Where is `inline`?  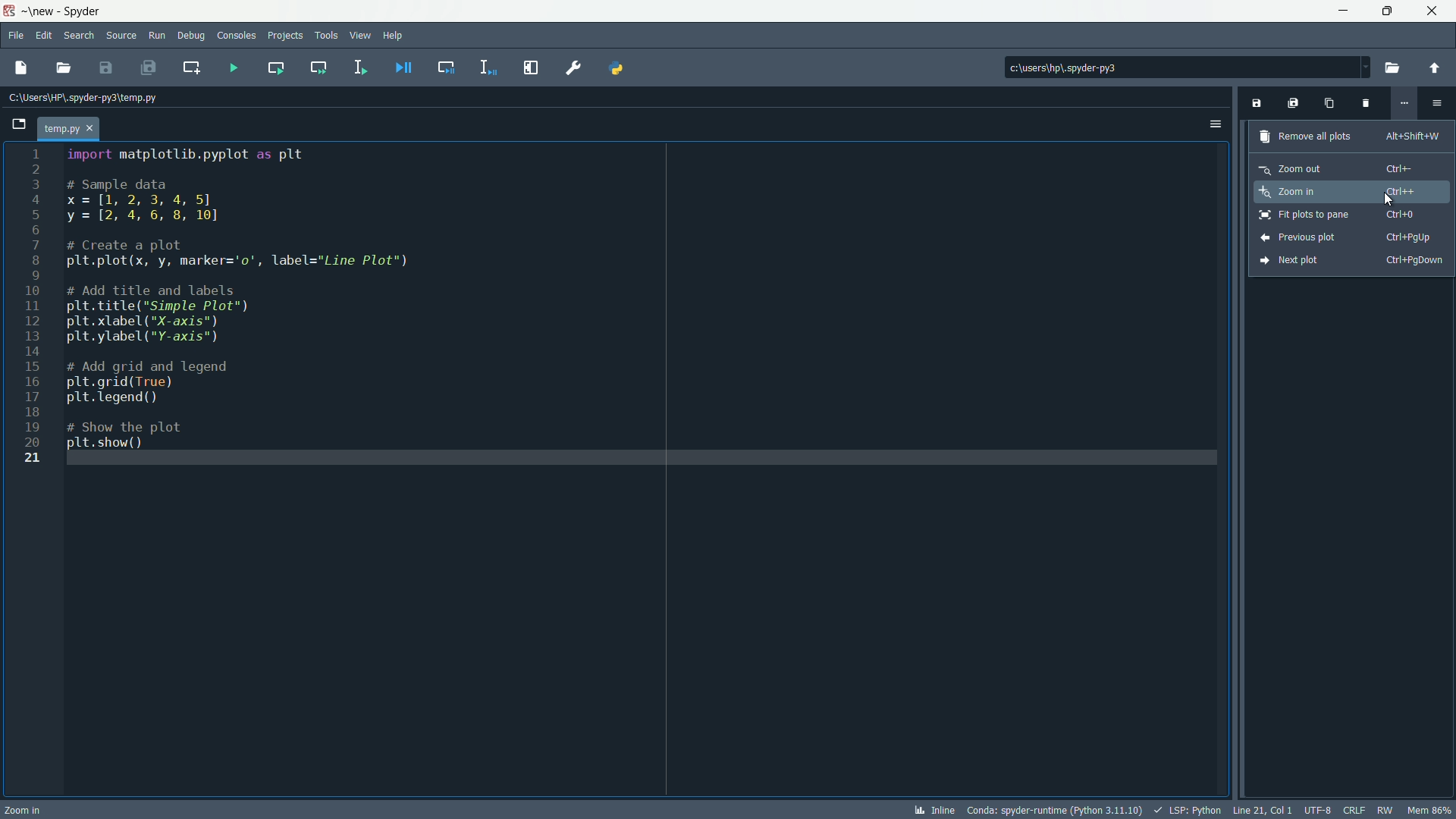 inline is located at coordinates (934, 810).